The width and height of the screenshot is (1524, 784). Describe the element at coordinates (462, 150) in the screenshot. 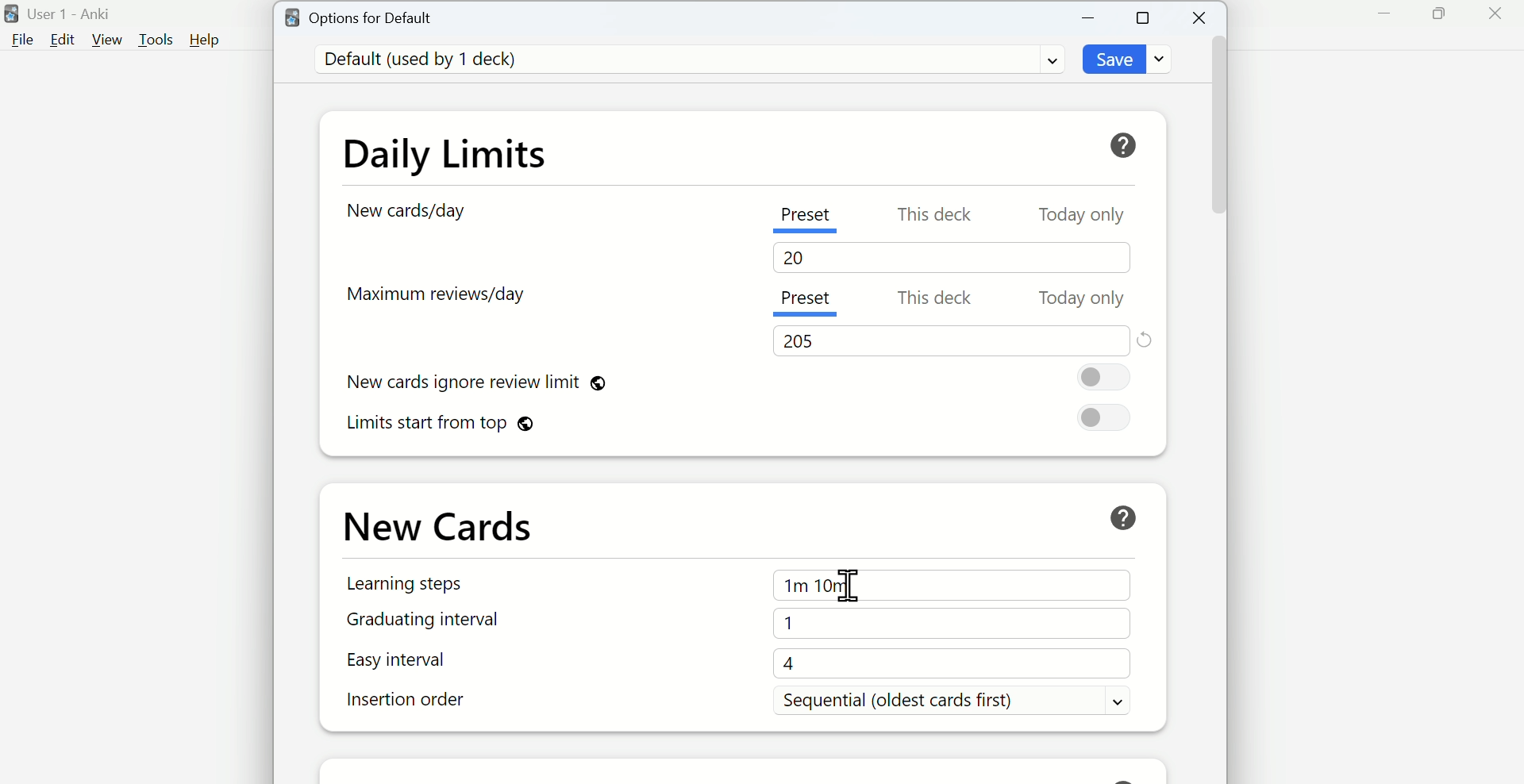

I see `Daily Limits` at that location.